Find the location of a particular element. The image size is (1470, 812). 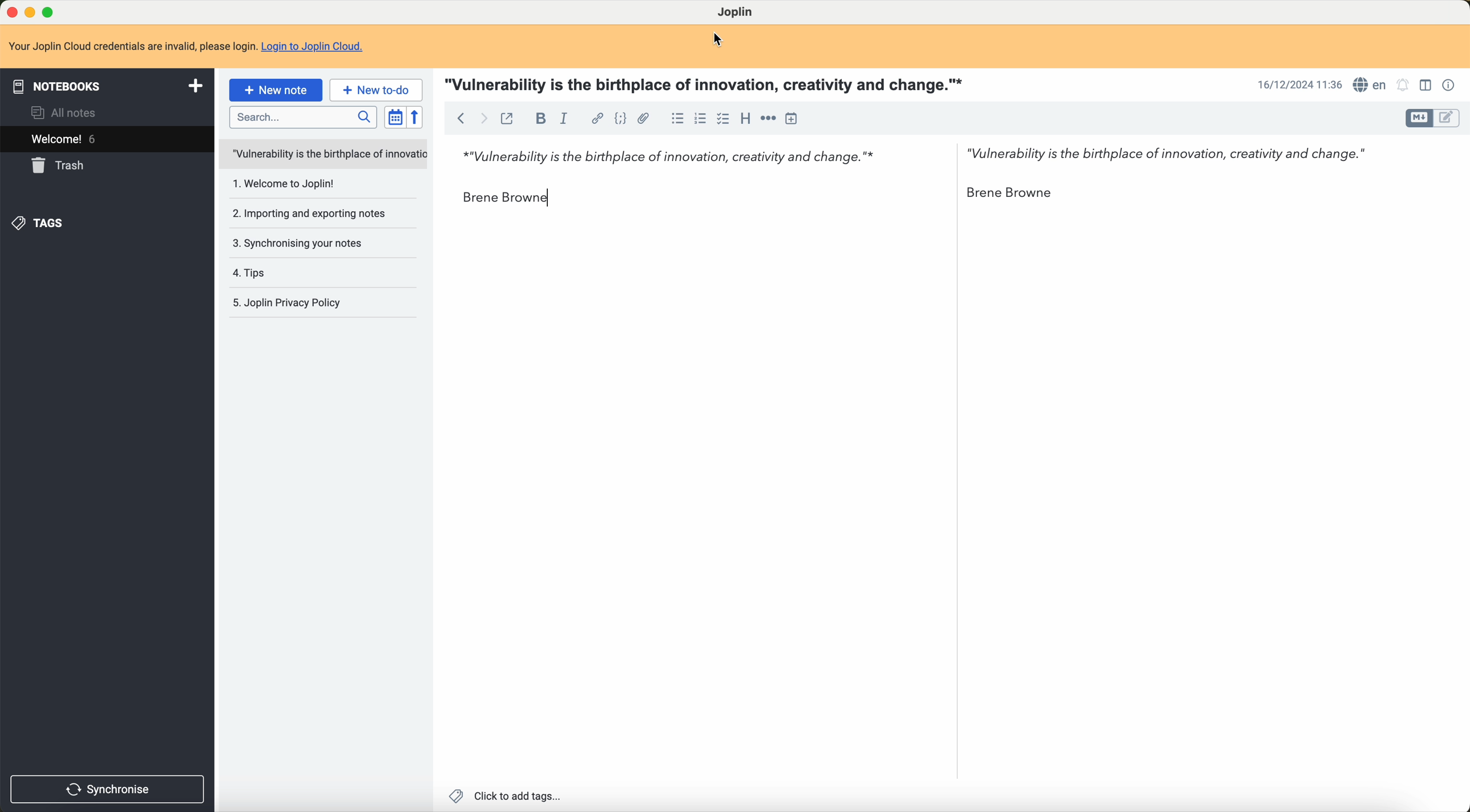

4.tips is located at coordinates (253, 273).